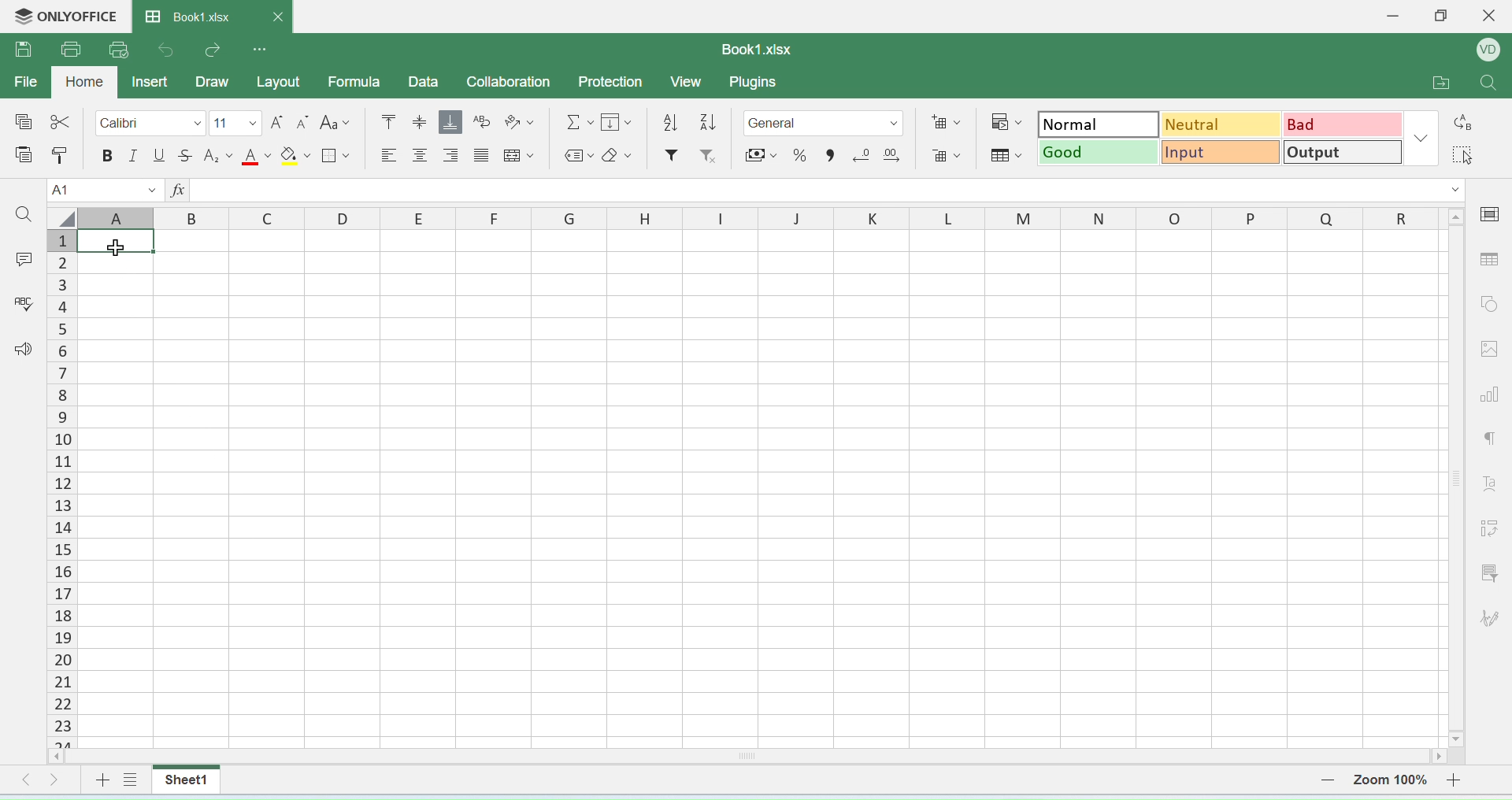 The width and height of the screenshot is (1512, 800). I want to click on subscript, so click(217, 155).